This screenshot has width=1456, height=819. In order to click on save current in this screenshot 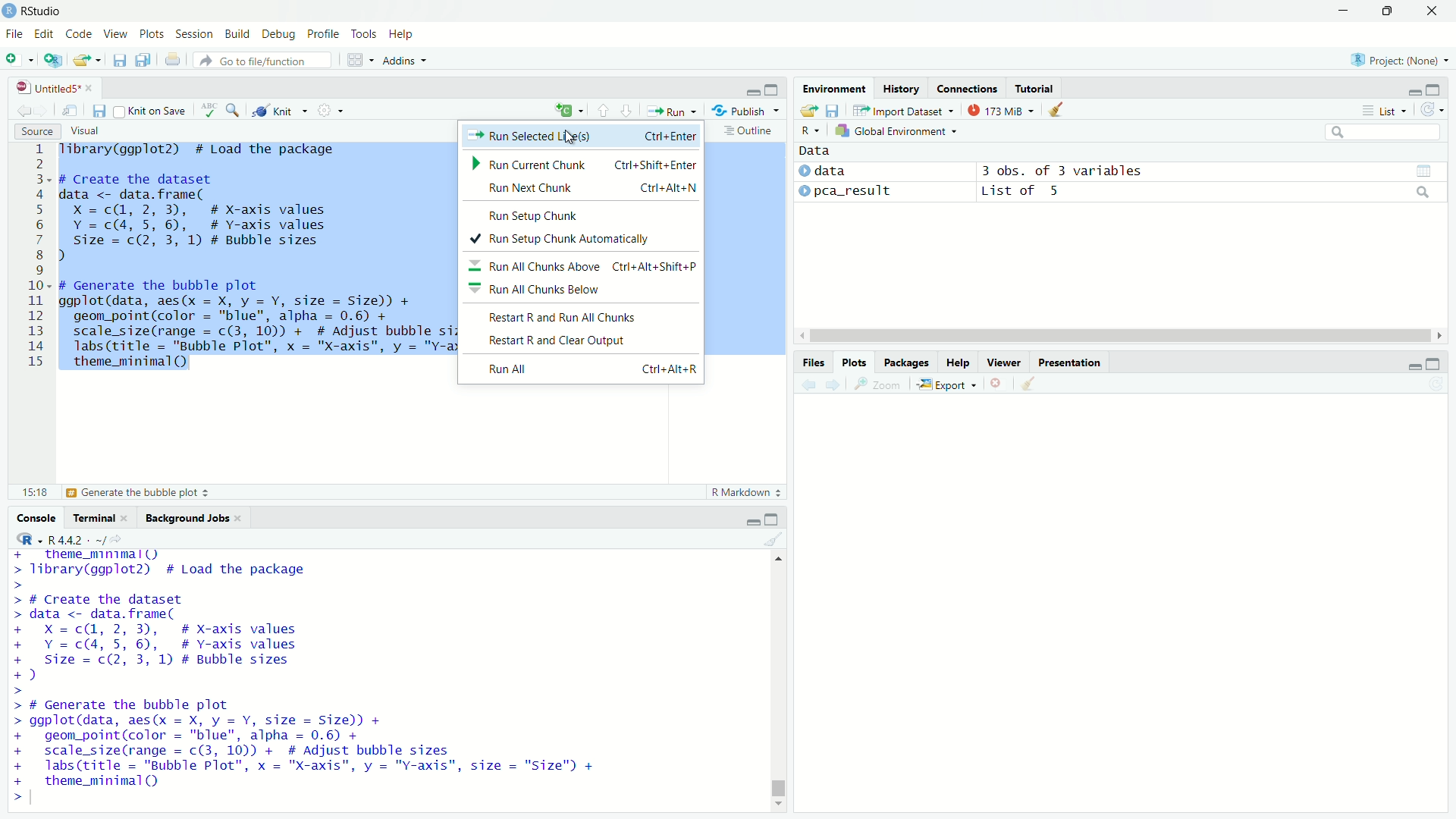, I will do `click(121, 59)`.